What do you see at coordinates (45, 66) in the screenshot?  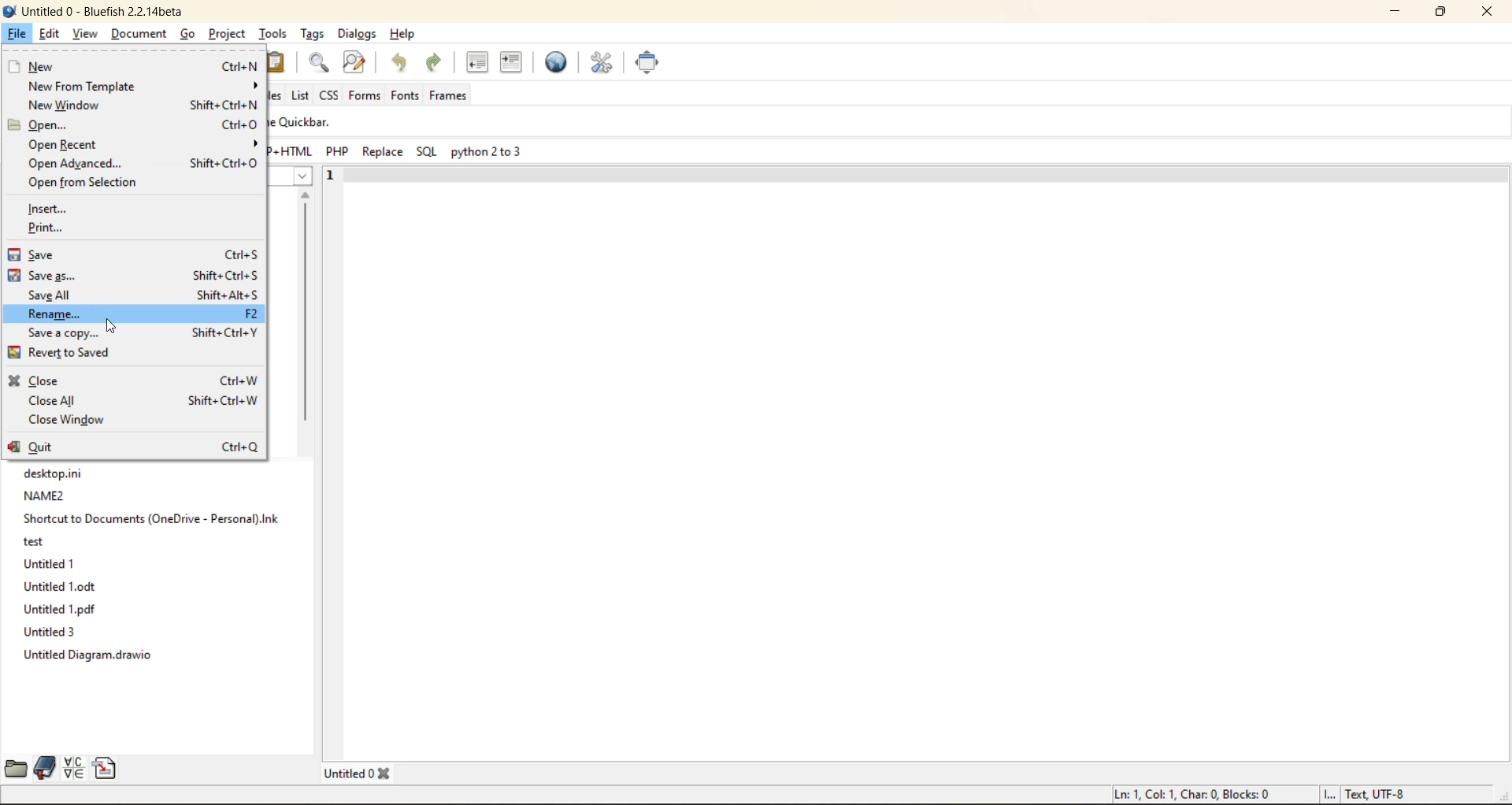 I see `new` at bounding box center [45, 66].